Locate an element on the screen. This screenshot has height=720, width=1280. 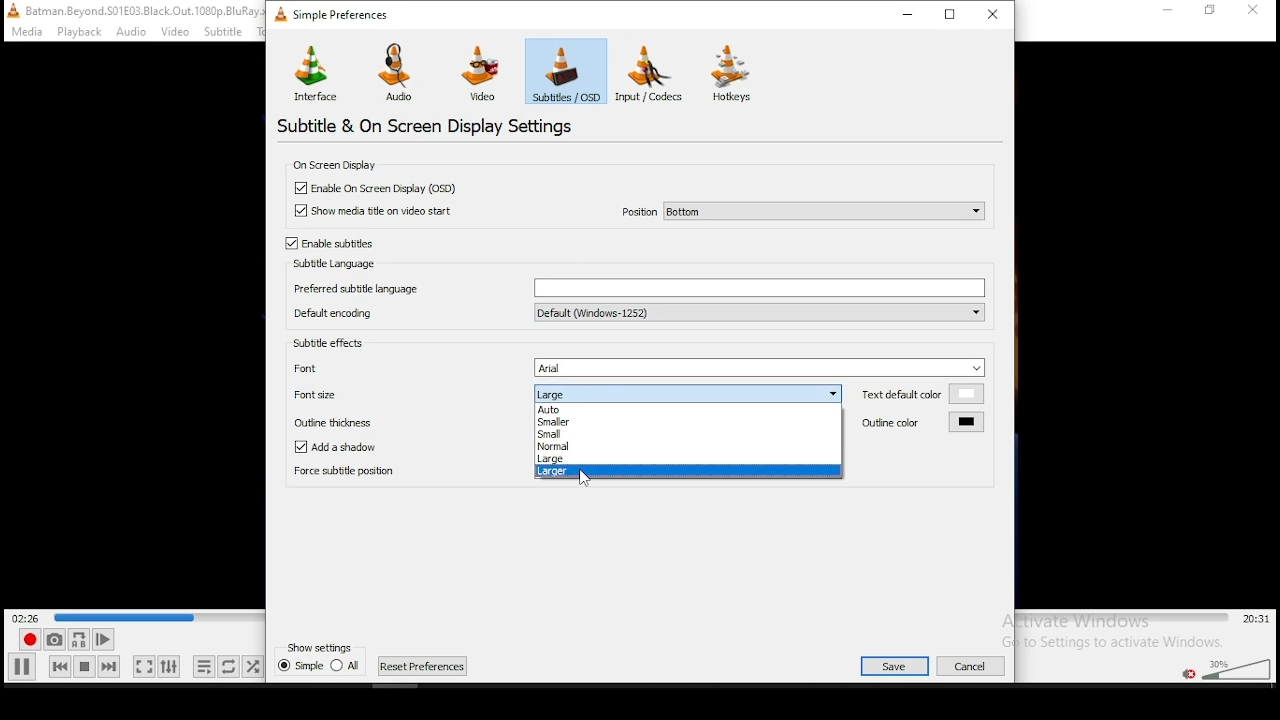
font size   is located at coordinates (407, 393).